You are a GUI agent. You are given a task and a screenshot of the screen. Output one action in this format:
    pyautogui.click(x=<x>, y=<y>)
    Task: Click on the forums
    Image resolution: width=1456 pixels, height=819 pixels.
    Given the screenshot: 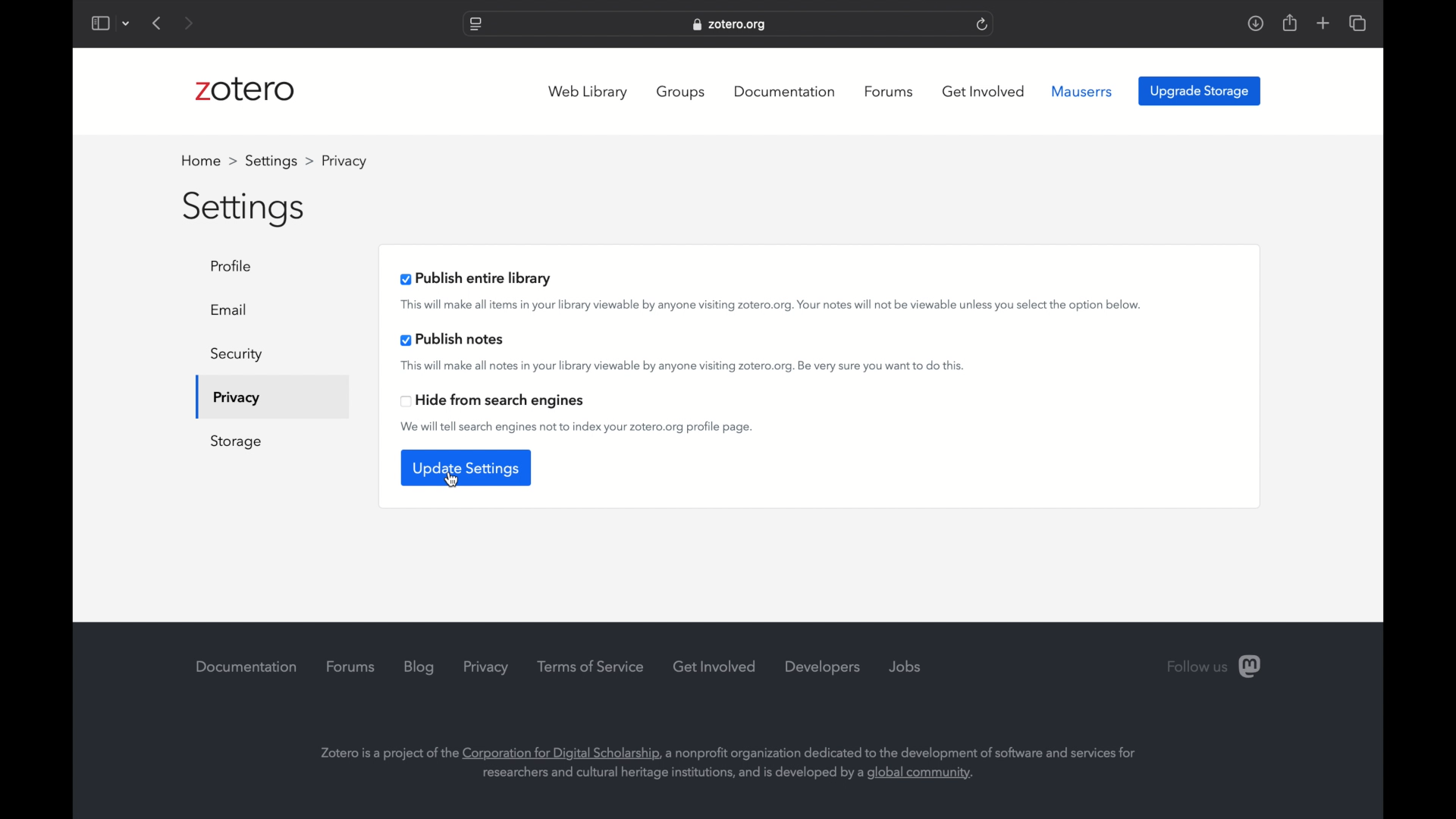 What is the action you would take?
    pyautogui.click(x=889, y=92)
    